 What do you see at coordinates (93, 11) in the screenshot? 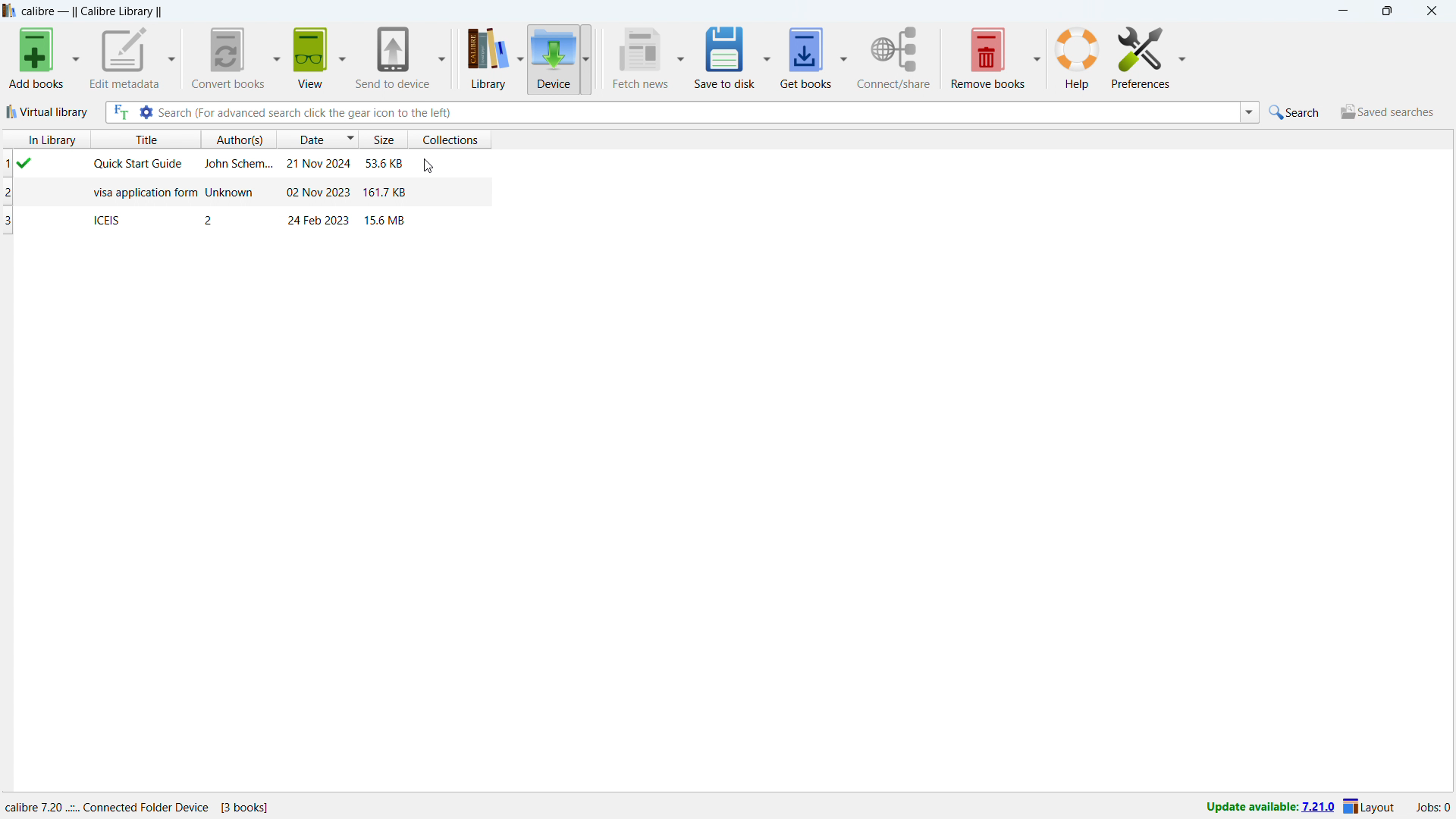
I see `title` at bounding box center [93, 11].